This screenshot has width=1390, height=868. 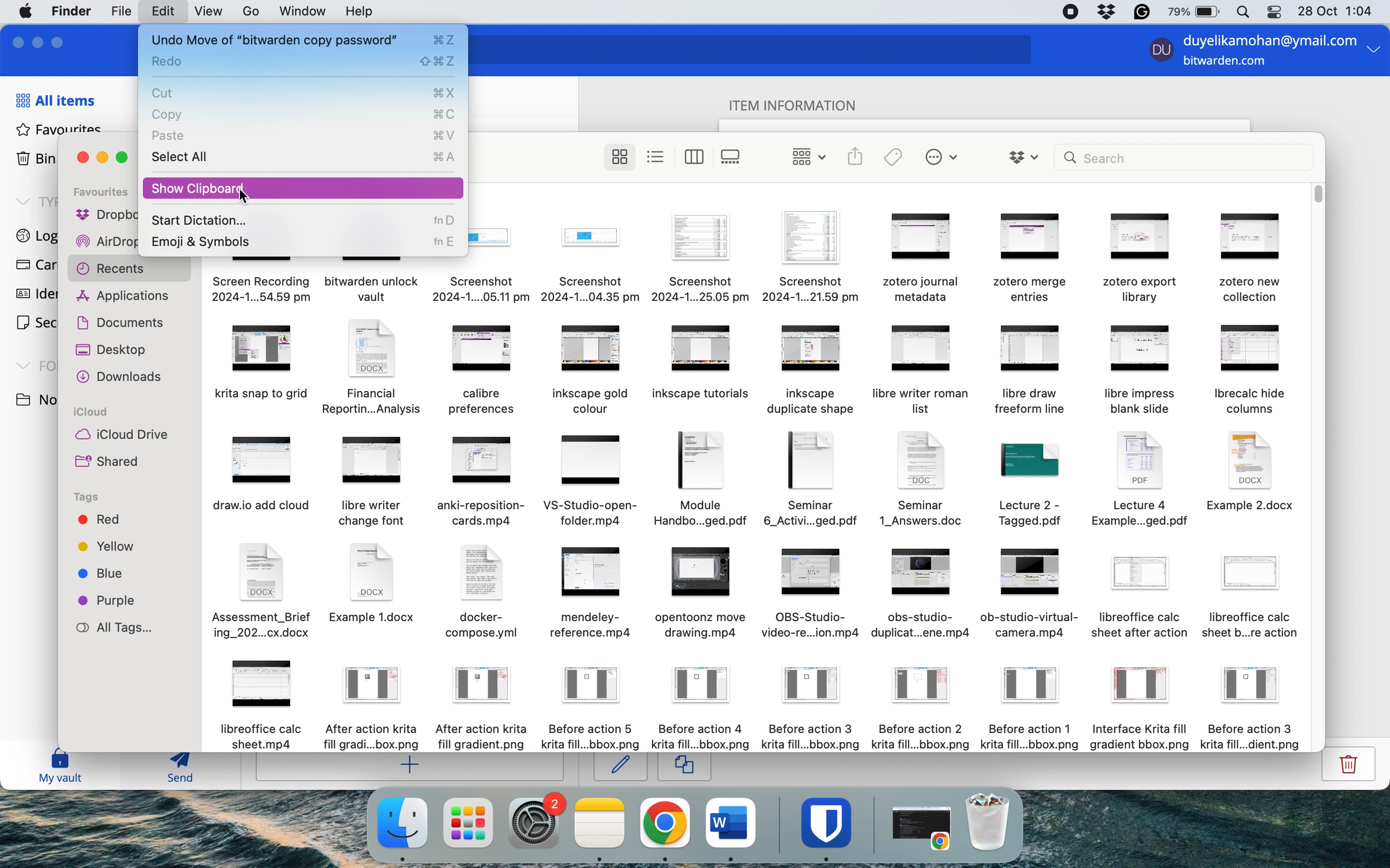 What do you see at coordinates (400, 823) in the screenshot?
I see `finder` at bounding box center [400, 823].